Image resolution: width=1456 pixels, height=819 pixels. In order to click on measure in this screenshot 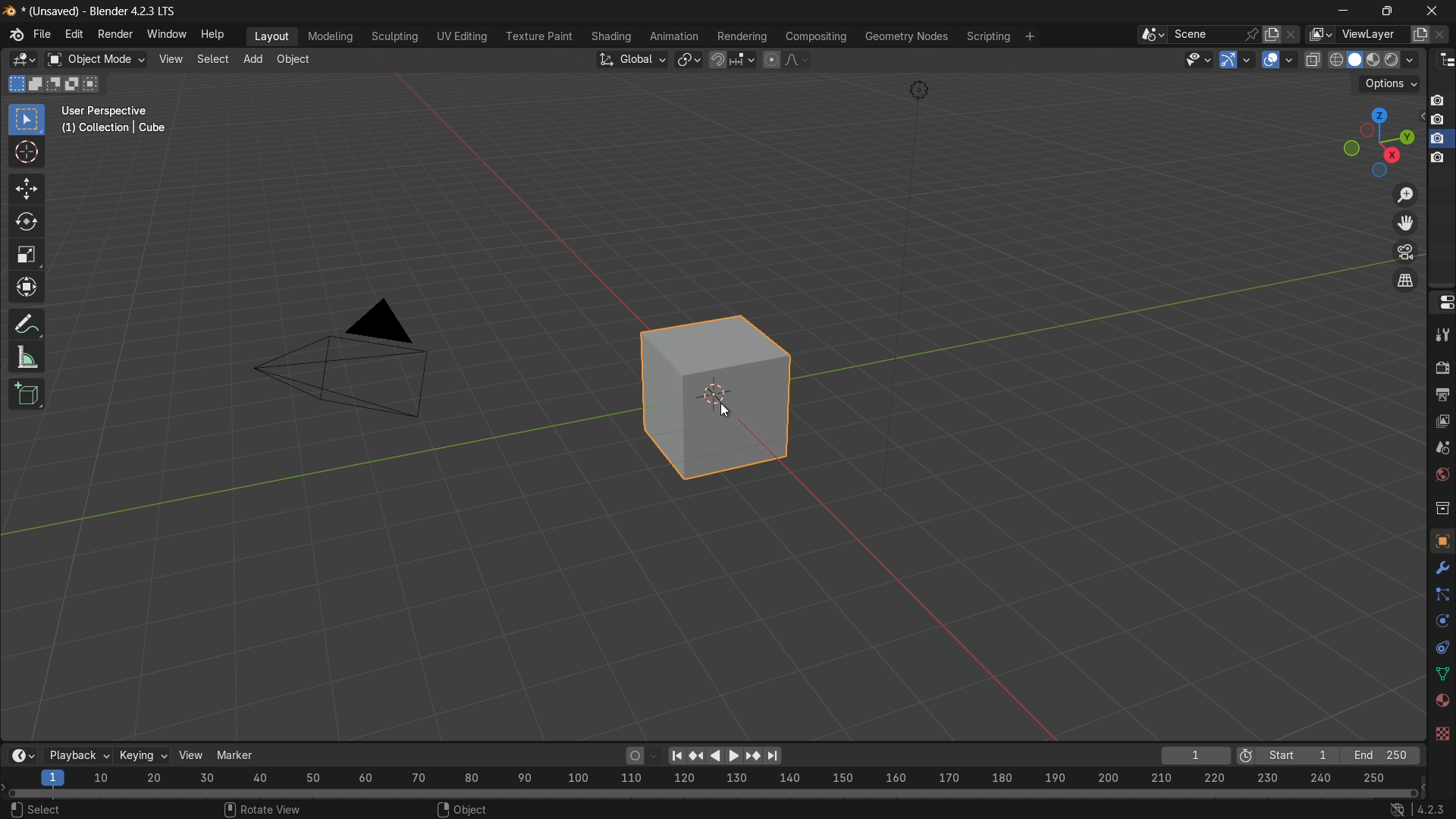, I will do `click(28, 358)`.